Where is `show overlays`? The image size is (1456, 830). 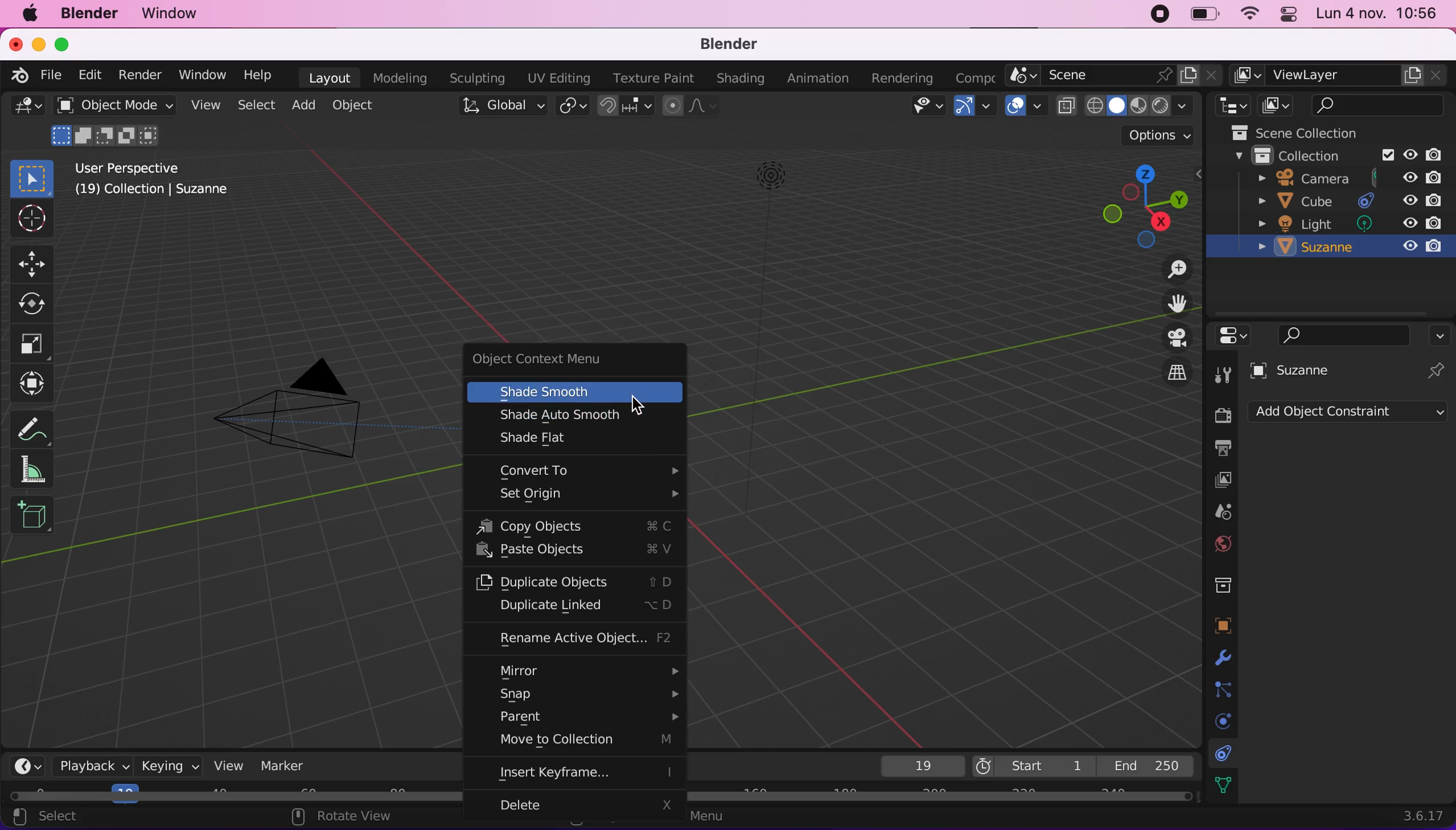 show overlays is located at coordinates (1017, 105).